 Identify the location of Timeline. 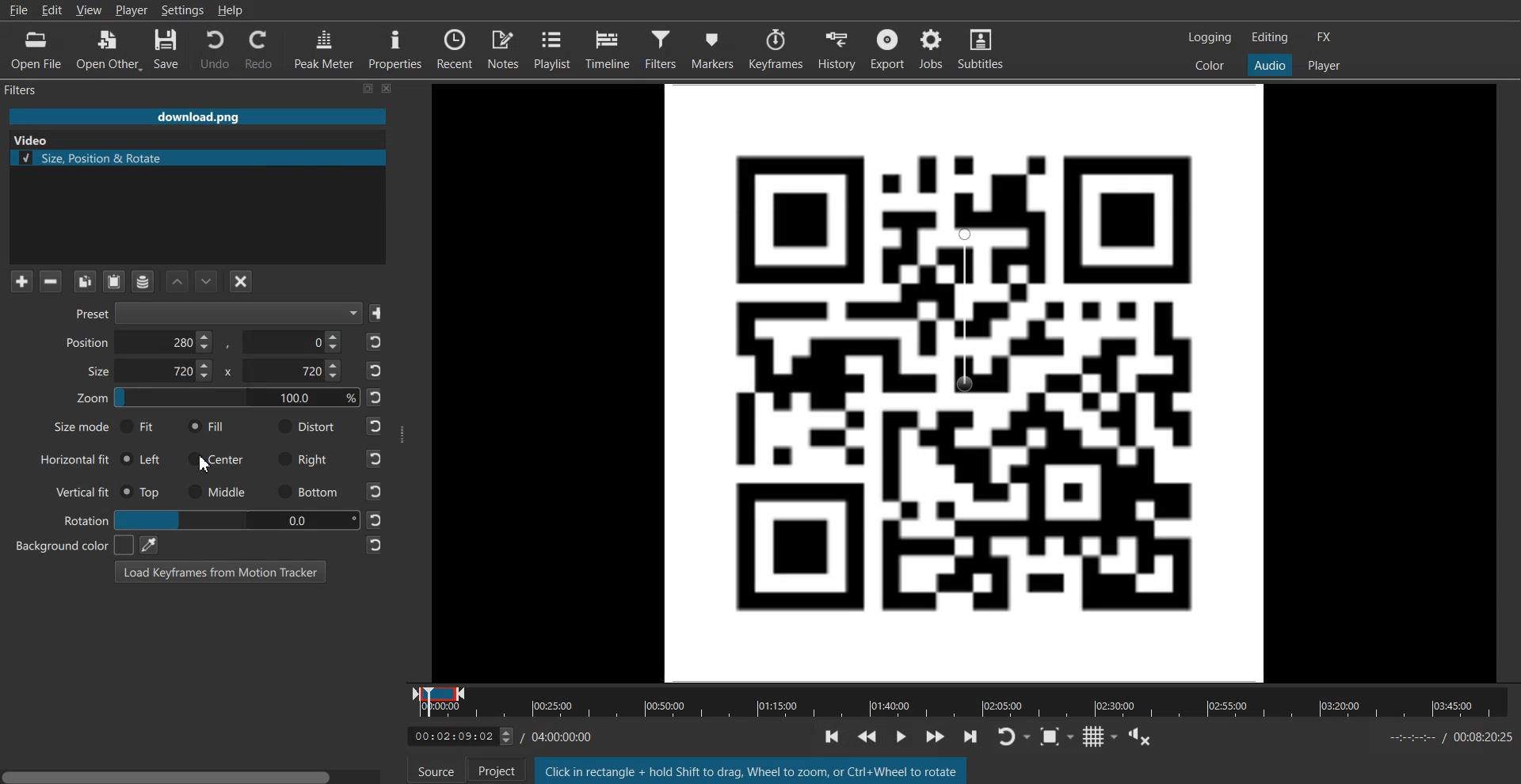
(609, 48).